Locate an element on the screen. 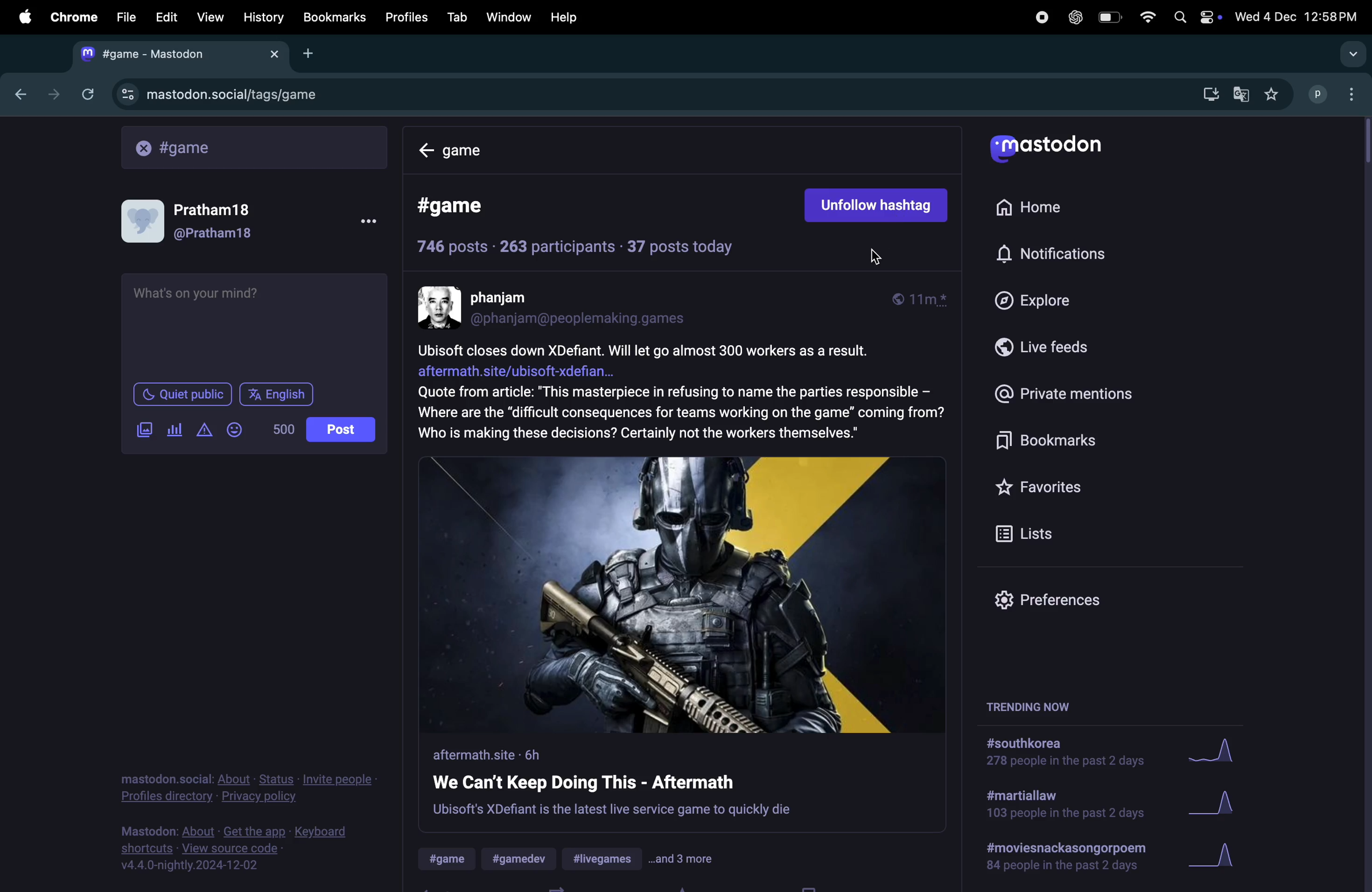 The image size is (1372, 892). Home is located at coordinates (1041, 209).